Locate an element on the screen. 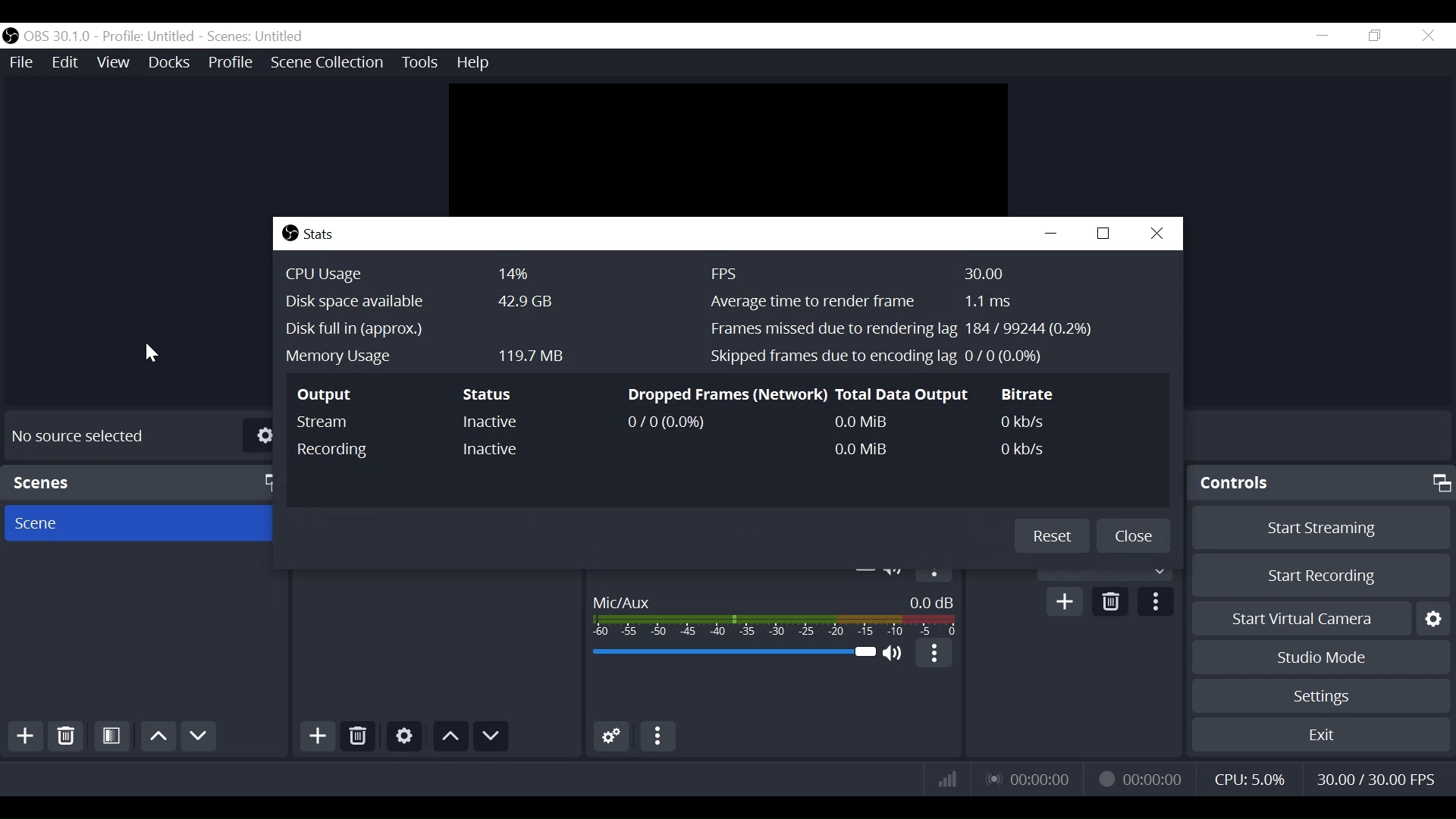 The width and height of the screenshot is (1456, 819). Edit is located at coordinates (66, 63).